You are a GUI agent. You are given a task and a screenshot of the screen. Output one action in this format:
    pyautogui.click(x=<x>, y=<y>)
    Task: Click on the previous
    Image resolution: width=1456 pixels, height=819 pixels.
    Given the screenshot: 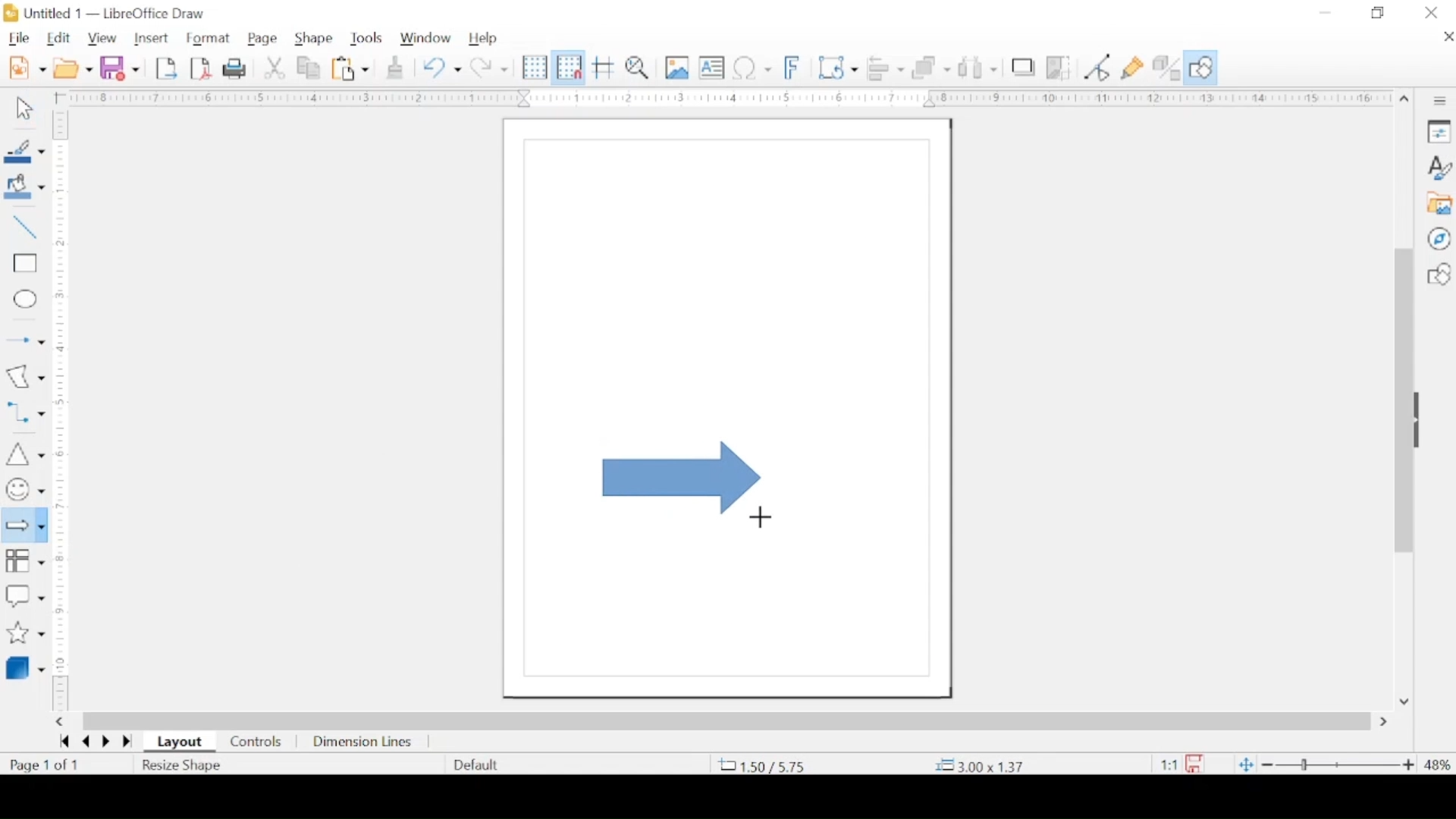 What is the action you would take?
    pyautogui.click(x=83, y=742)
    